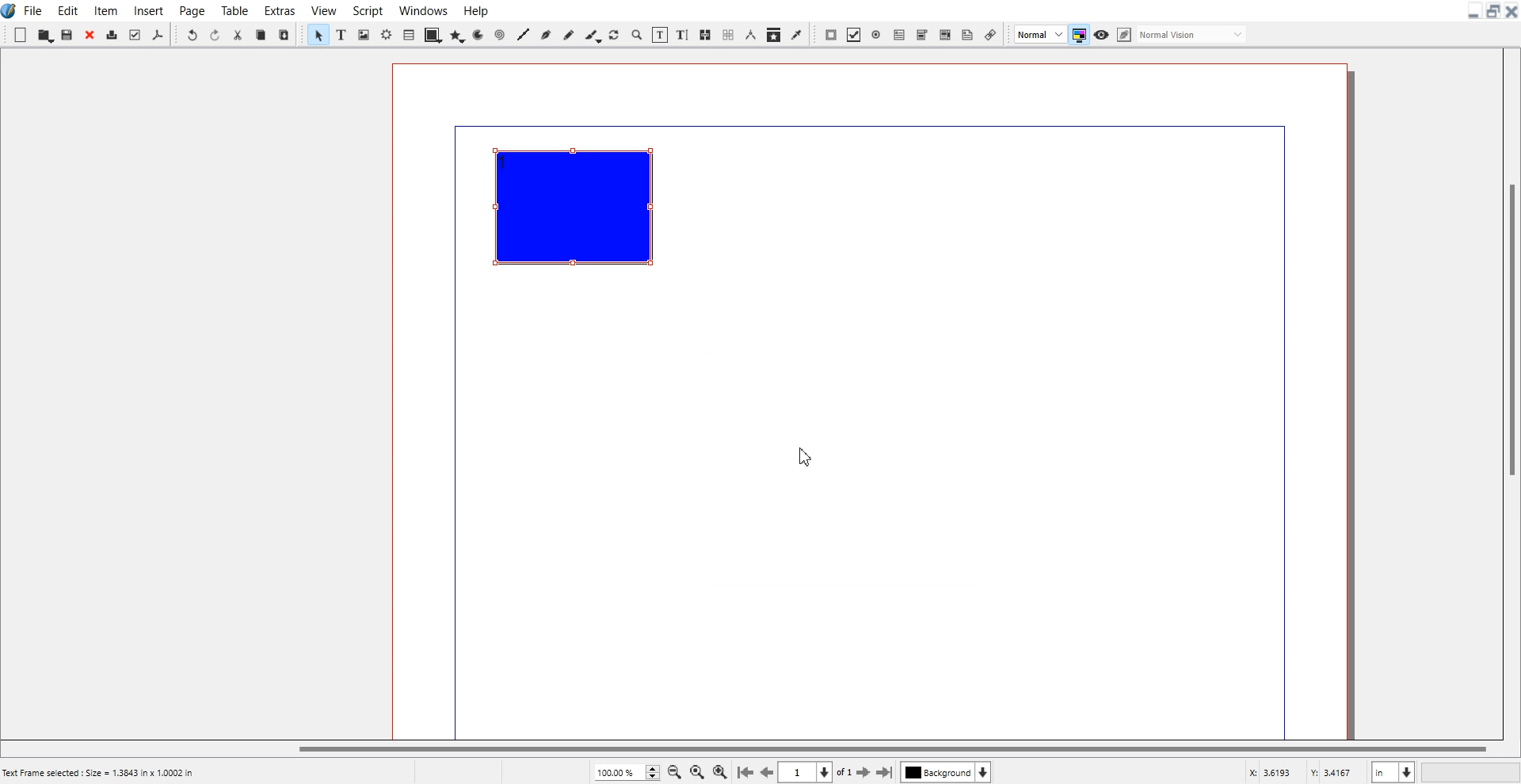 This screenshot has height=784, width=1521. I want to click on Windows, so click(422, 10).